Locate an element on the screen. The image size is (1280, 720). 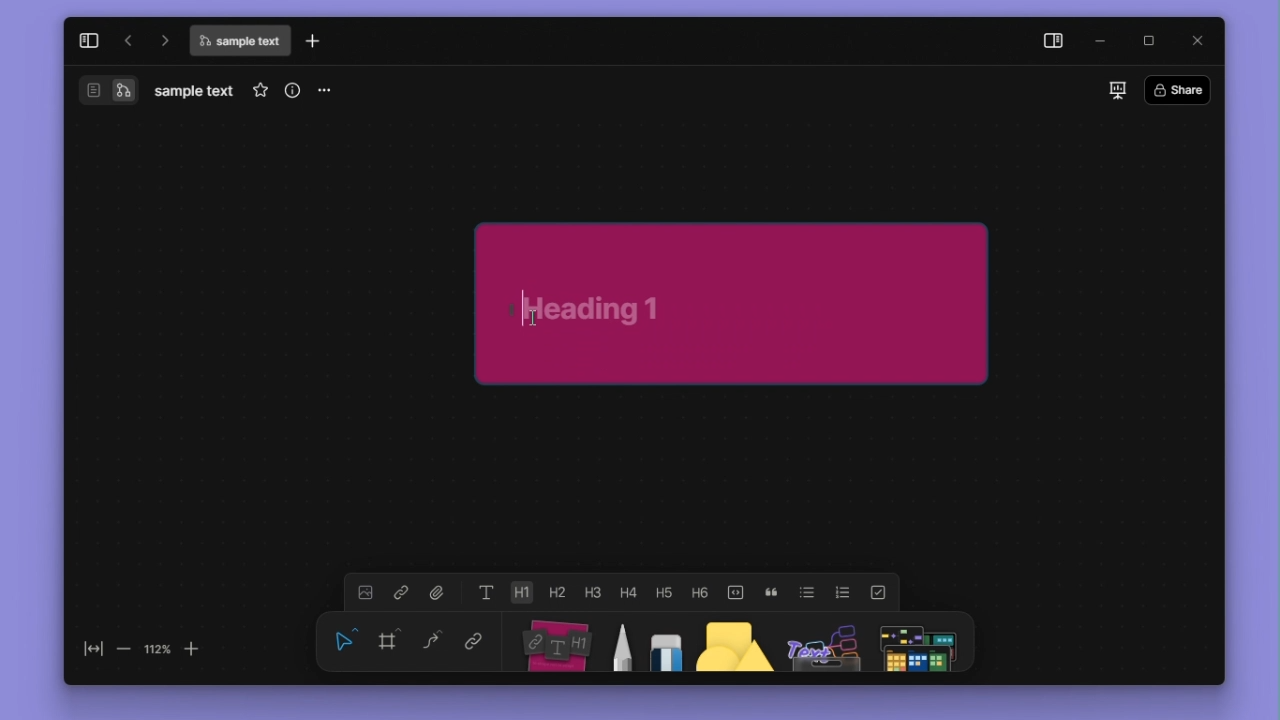
text is located at coordinates (487, 592).